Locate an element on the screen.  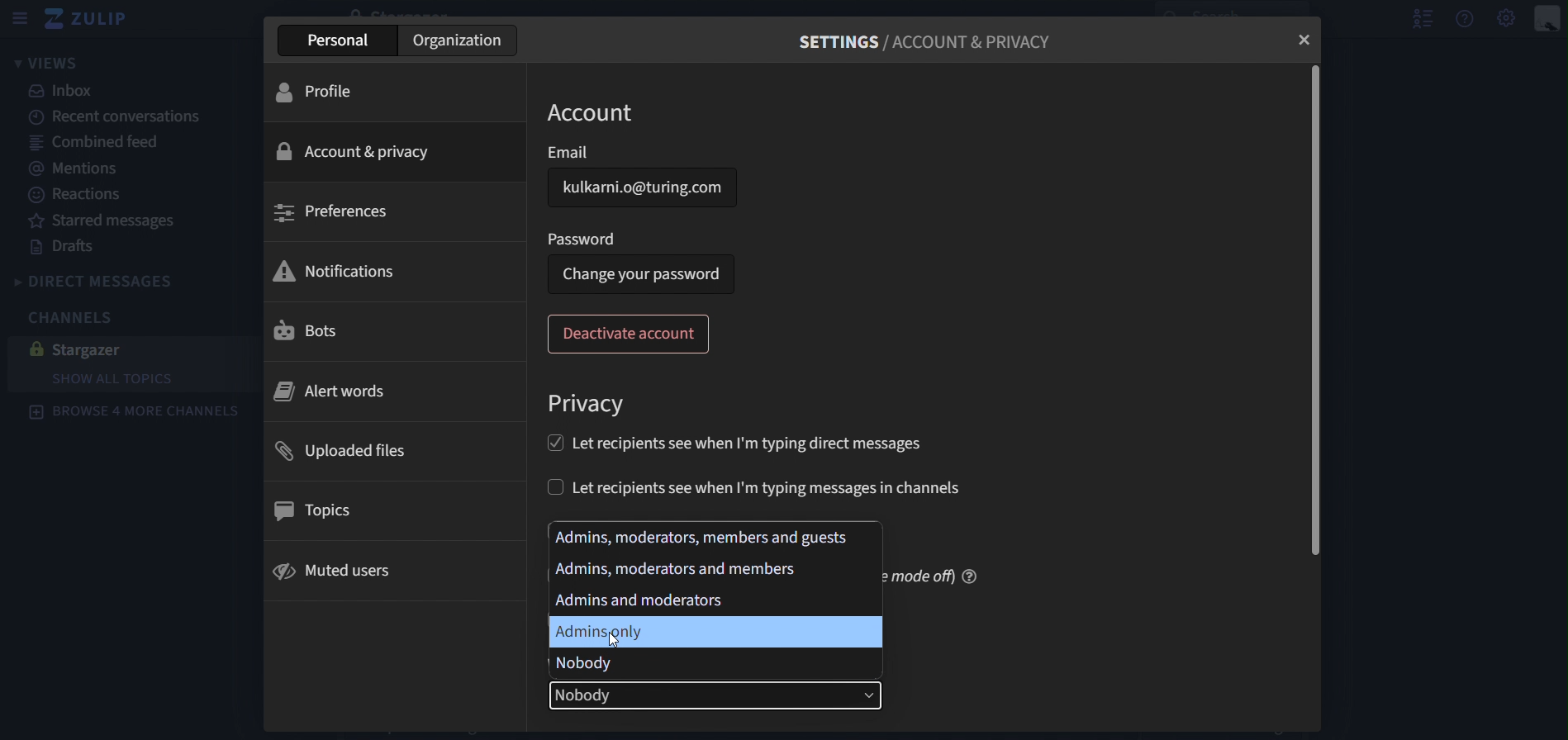
show all topics is located at coordinates (113, 378).